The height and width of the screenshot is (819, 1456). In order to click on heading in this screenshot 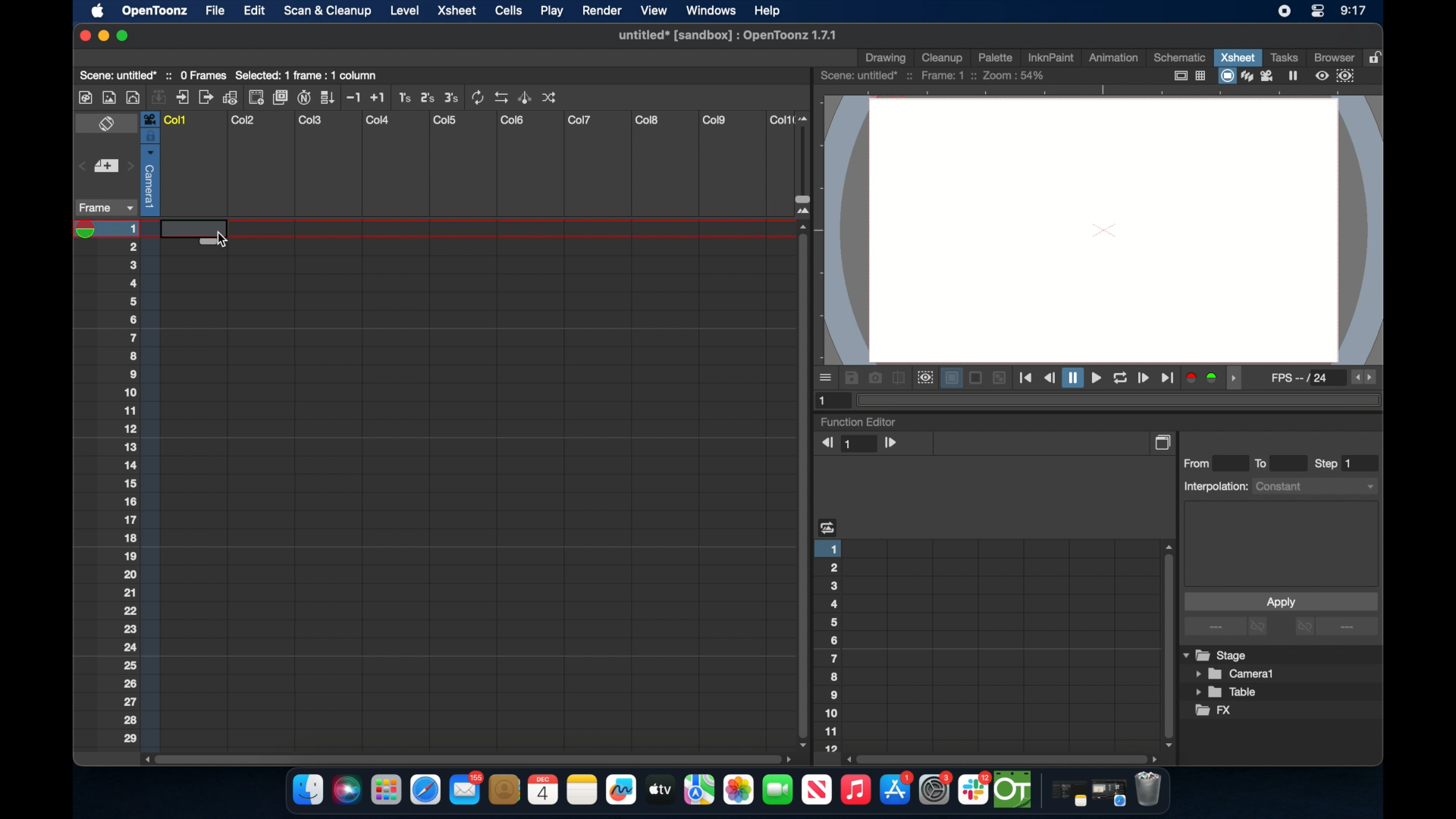, I will do `click(828, 526)`.